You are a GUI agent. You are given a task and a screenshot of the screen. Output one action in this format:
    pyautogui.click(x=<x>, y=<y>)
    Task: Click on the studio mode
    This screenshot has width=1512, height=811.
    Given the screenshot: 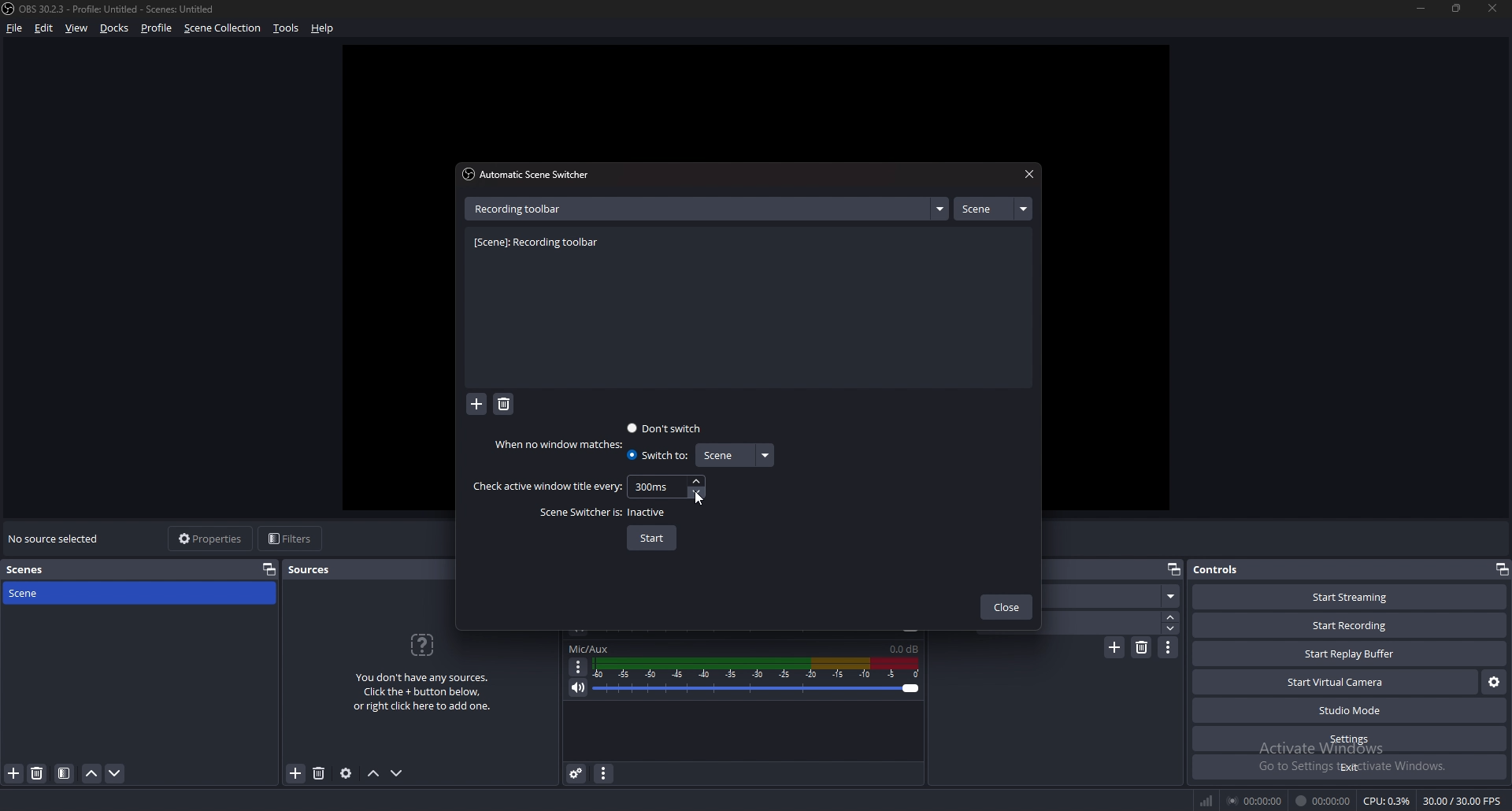 What is the action you would take?
    pyautogui.click(x=1350, y=711)
    